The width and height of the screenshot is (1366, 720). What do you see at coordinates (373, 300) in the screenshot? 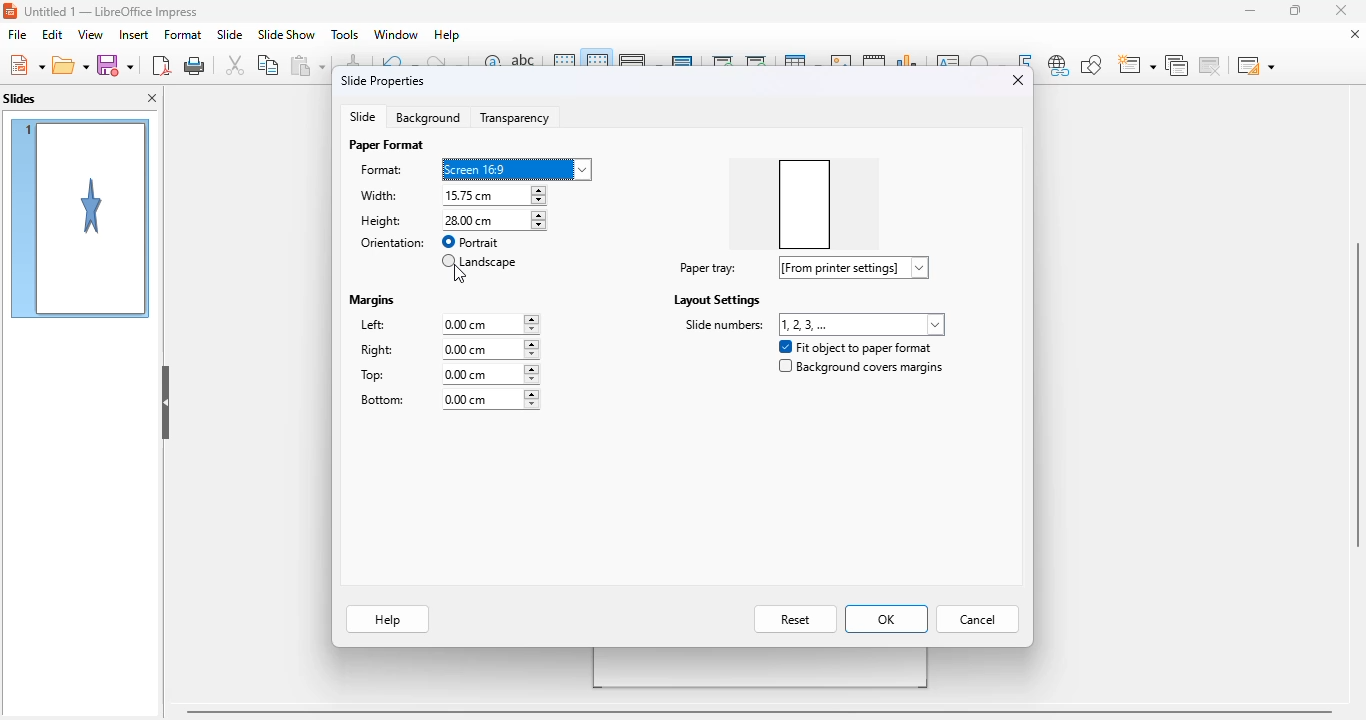
I see `margins` at bounding box center [373, 300].